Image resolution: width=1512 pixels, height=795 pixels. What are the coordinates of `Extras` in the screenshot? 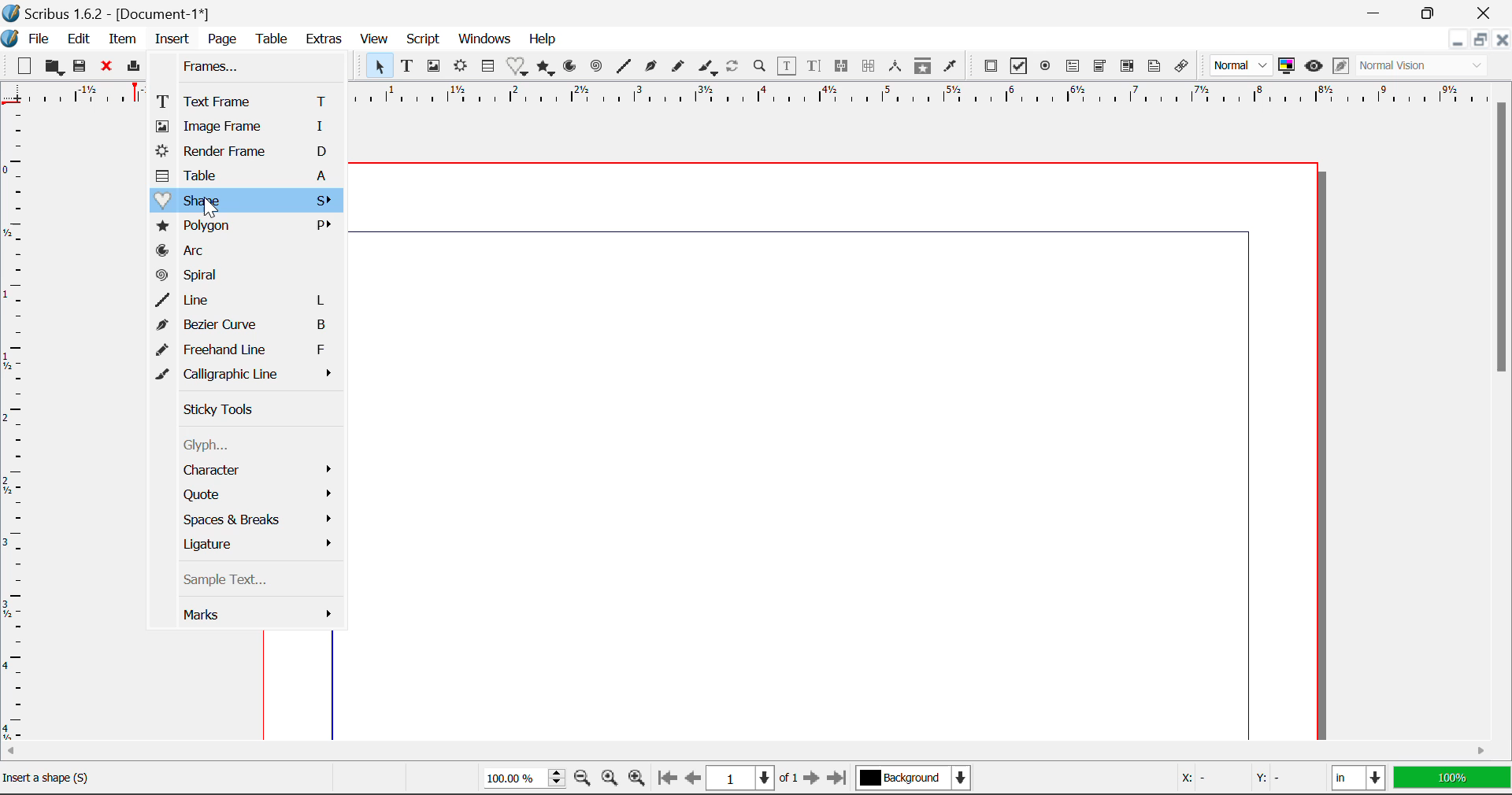 It's located at (327, 40).